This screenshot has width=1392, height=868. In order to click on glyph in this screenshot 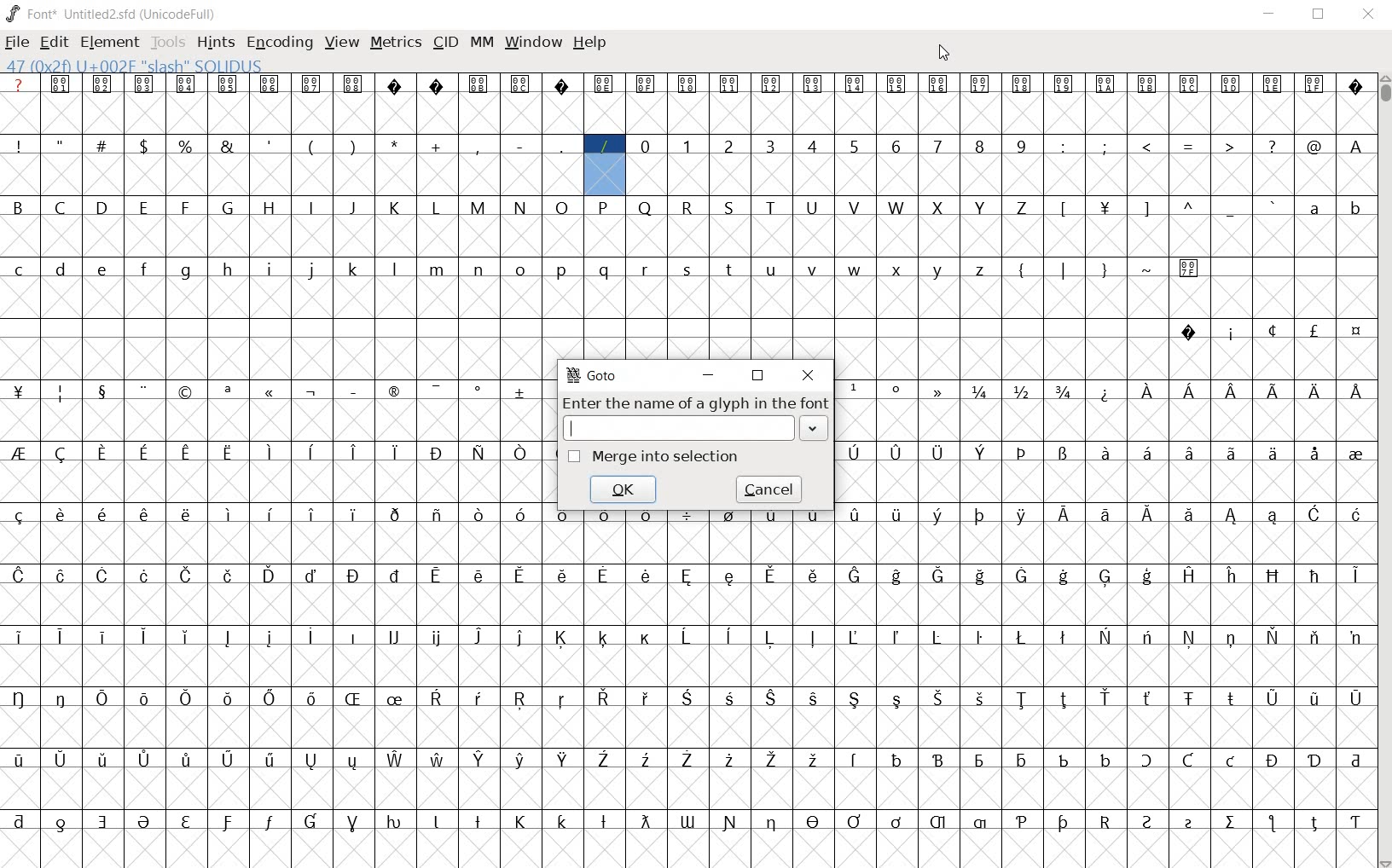, I will do `click(1190, 575)`.